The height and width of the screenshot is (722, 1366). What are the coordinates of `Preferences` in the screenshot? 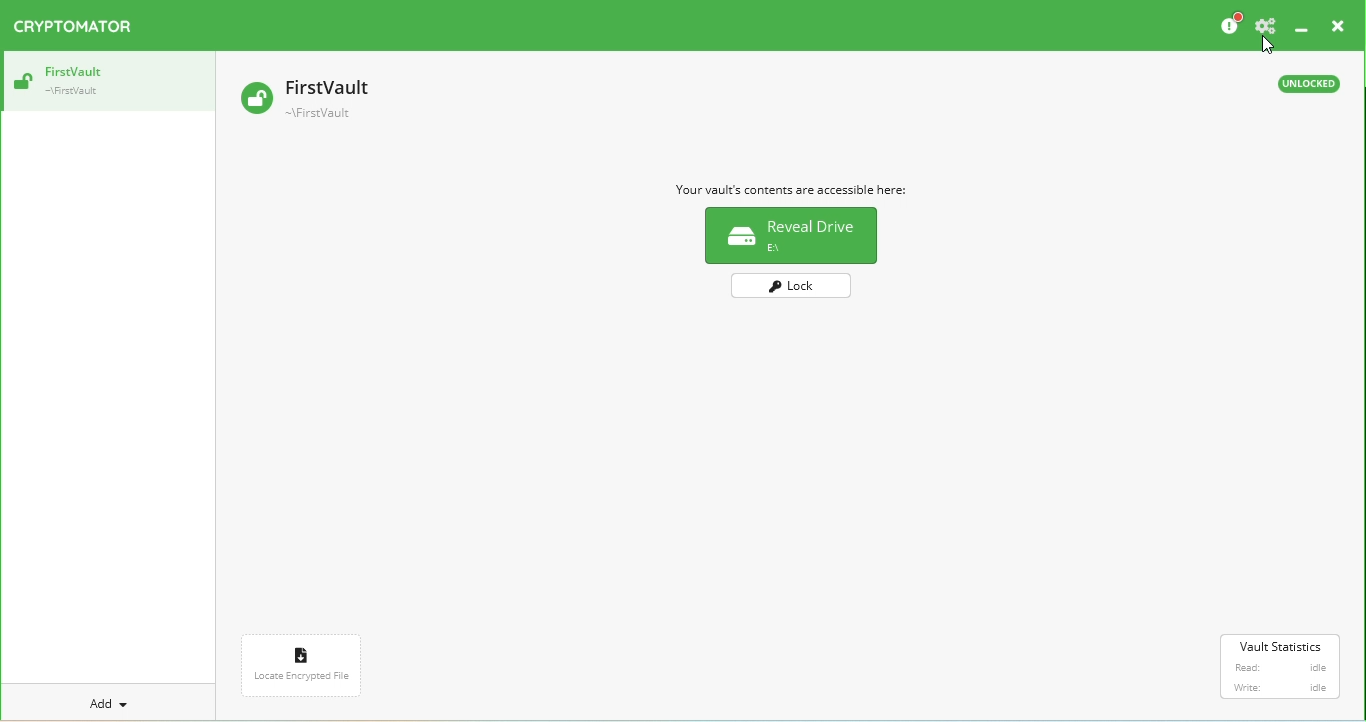 It's located at (1266, 26).